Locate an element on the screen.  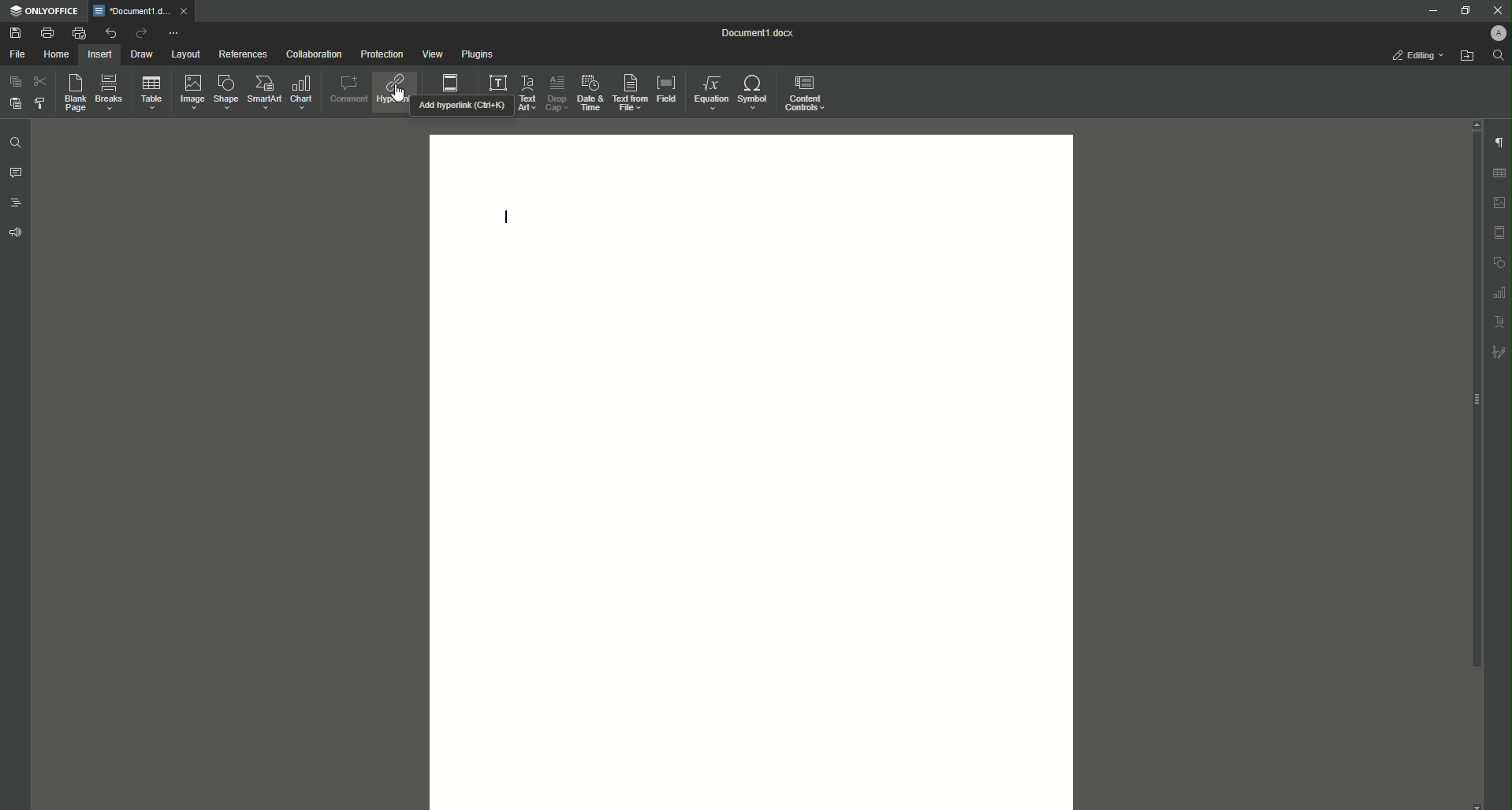
More Options is located at coordinates (175, 34).